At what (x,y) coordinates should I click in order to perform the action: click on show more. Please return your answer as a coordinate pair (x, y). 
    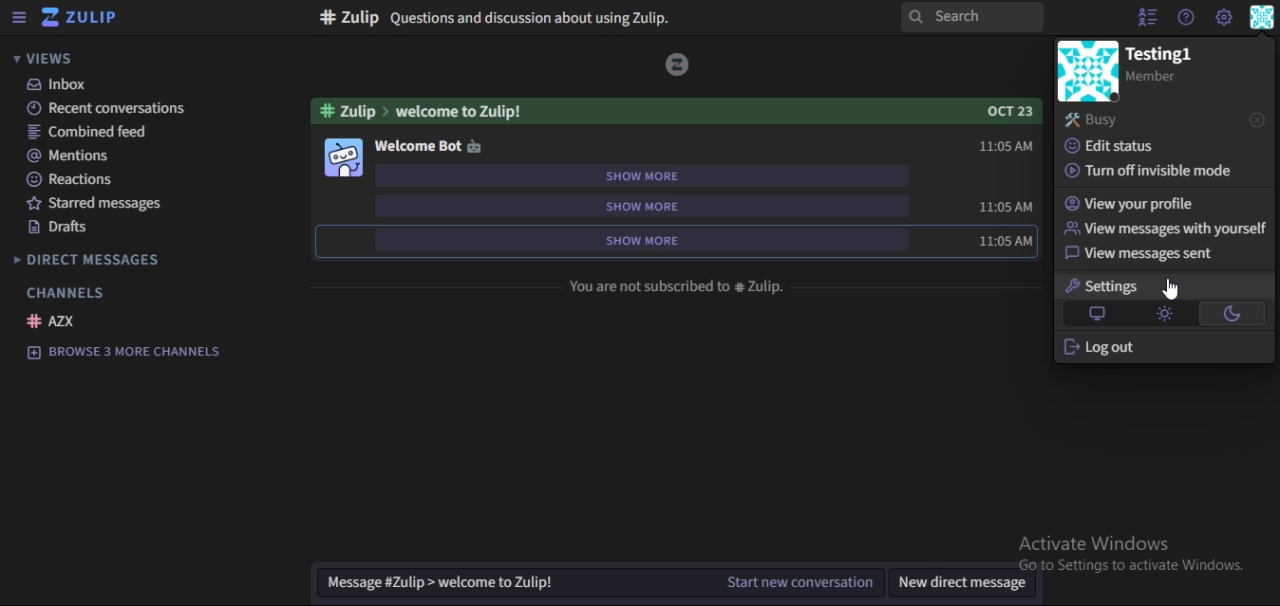
    Looking at the image, I should click on (653, 175).